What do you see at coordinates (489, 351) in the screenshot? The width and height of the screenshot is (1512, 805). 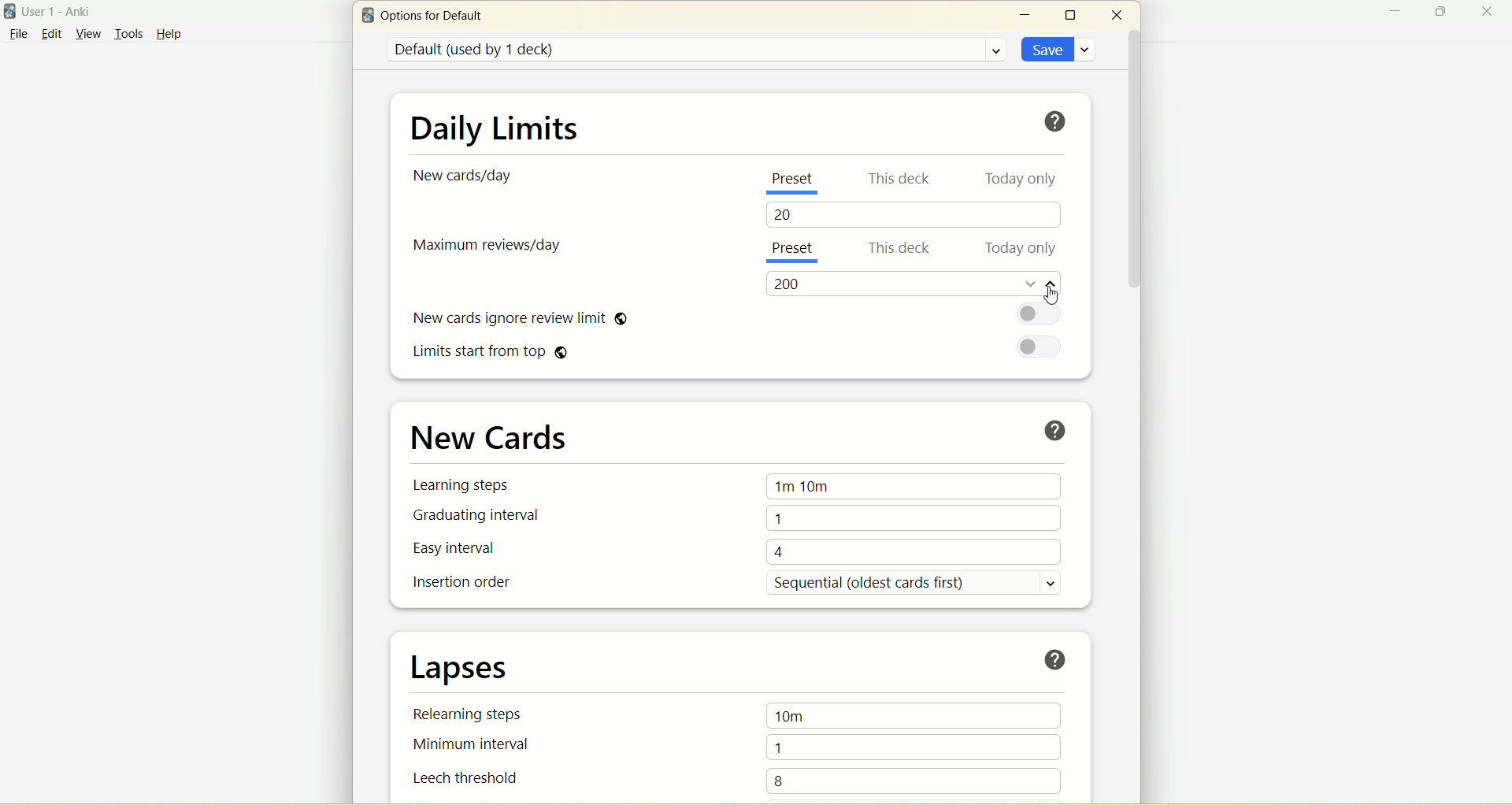 I see `limits start from top` at bounding box center [489, 351].